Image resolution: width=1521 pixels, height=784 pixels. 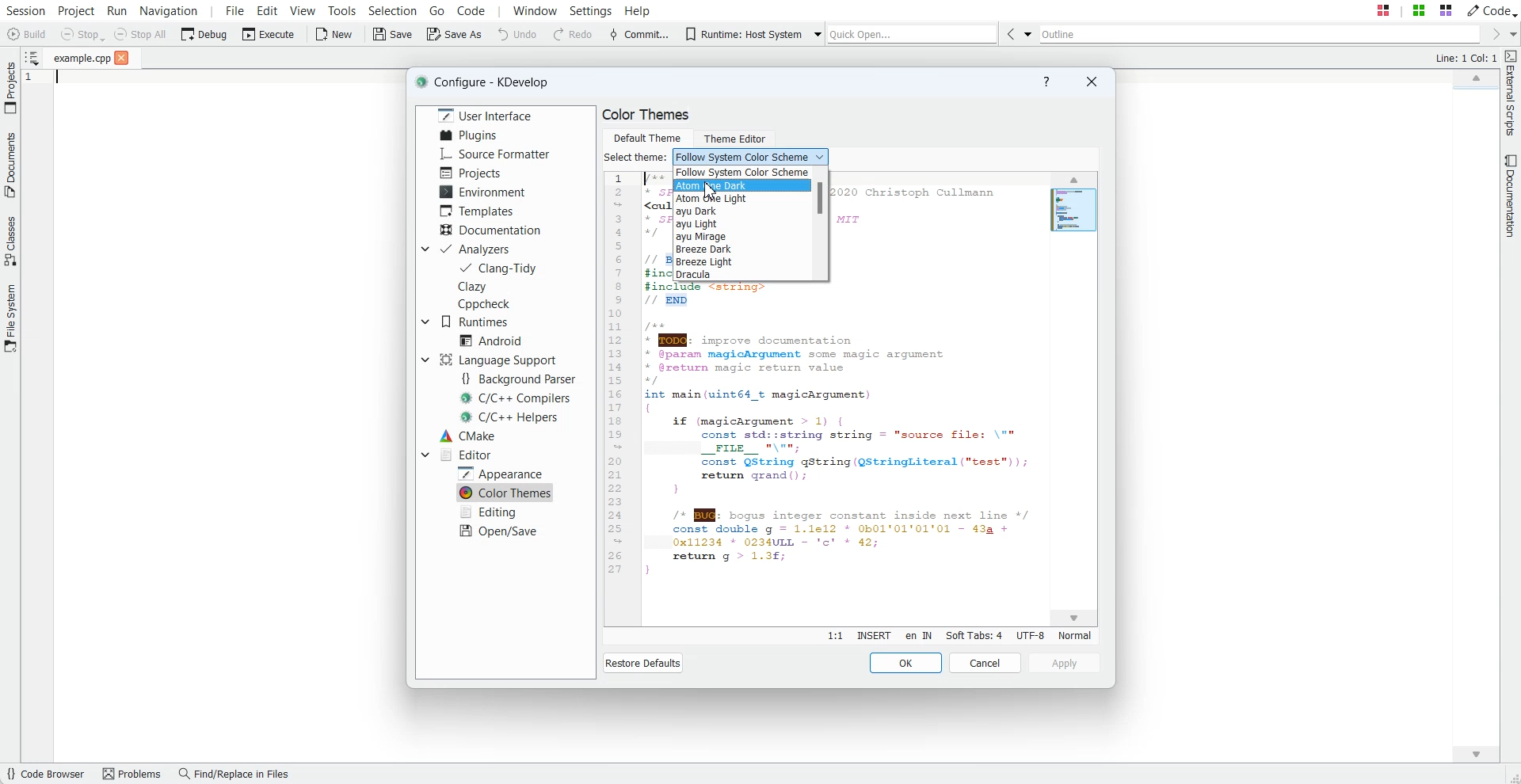 What do you see at coordinates (31, 57) in the screenshot?
I see `Show sorted List` at bounding box center [31, 57].